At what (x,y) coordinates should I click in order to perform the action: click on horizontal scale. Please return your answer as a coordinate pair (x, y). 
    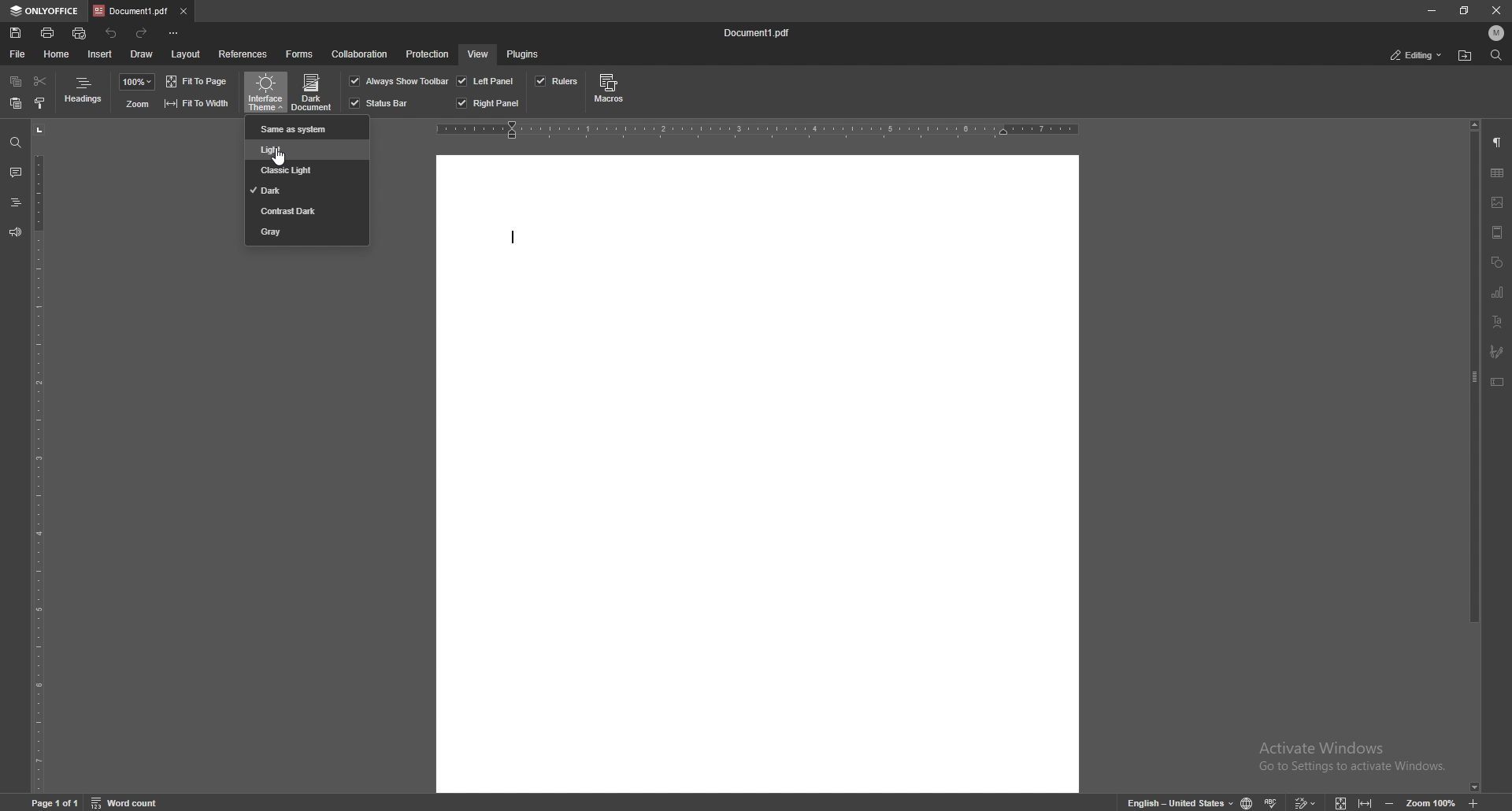
    Looking at the image, I should click on (756, 131).